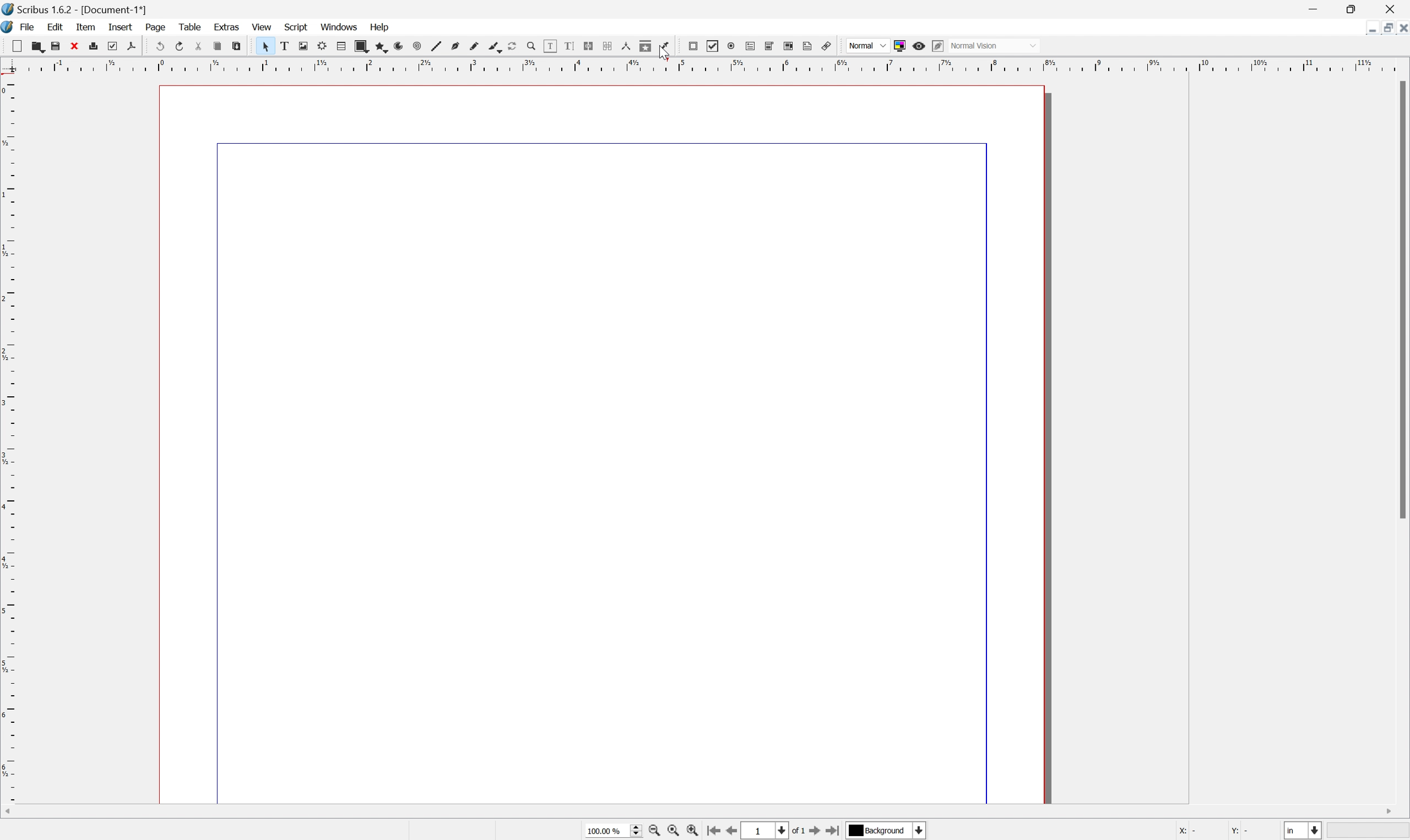 Image resolution: width=1410 pixels, height=840 pixels. Describe the element at coordinates (664, 53) in the screenshot. I see `Cursor` at that location.